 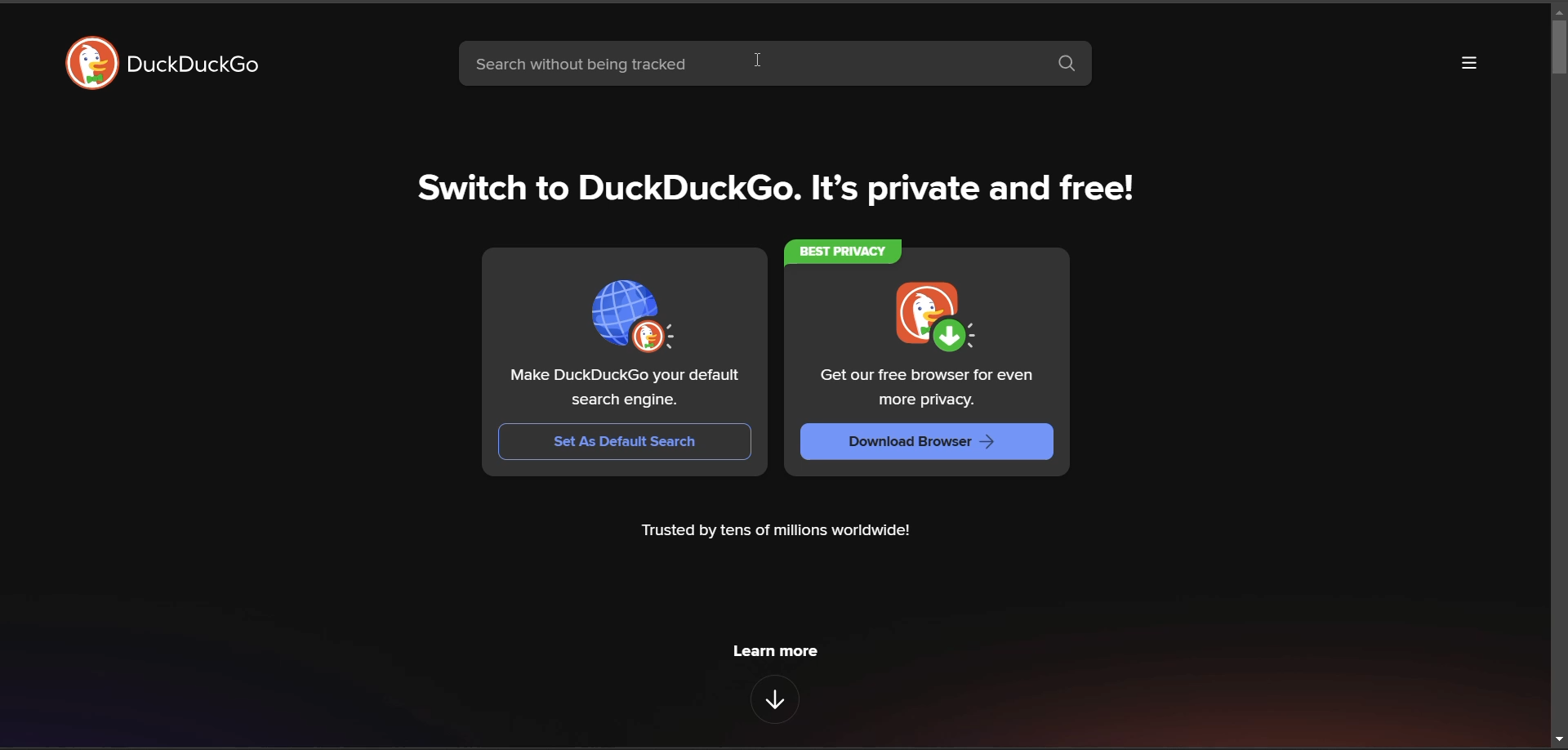 What do you see at coordinates (1473, 65) in the screenshot?
I see `more options` at bounding box center [1473, 65].